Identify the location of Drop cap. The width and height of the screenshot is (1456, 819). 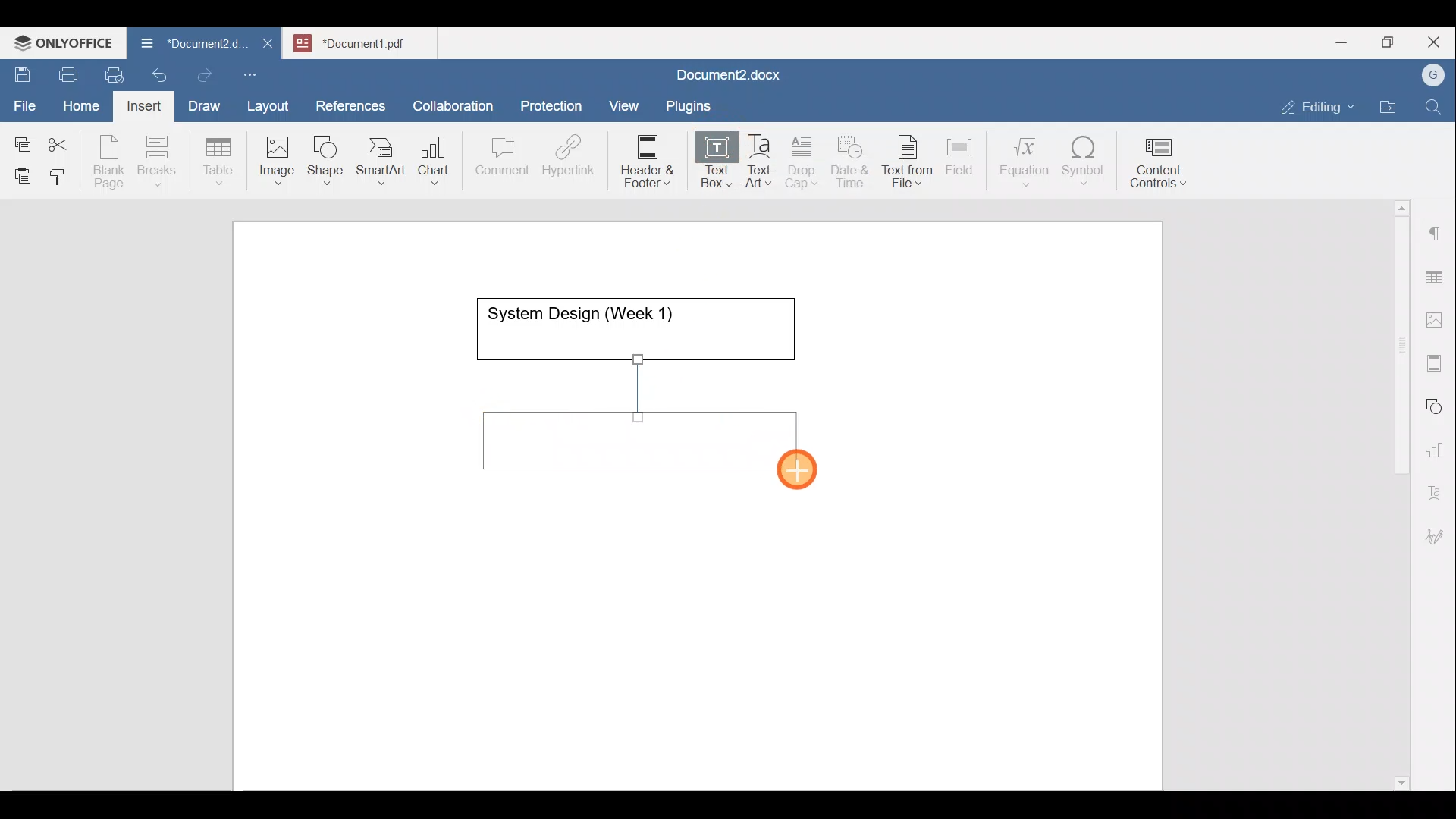
(805, 160).